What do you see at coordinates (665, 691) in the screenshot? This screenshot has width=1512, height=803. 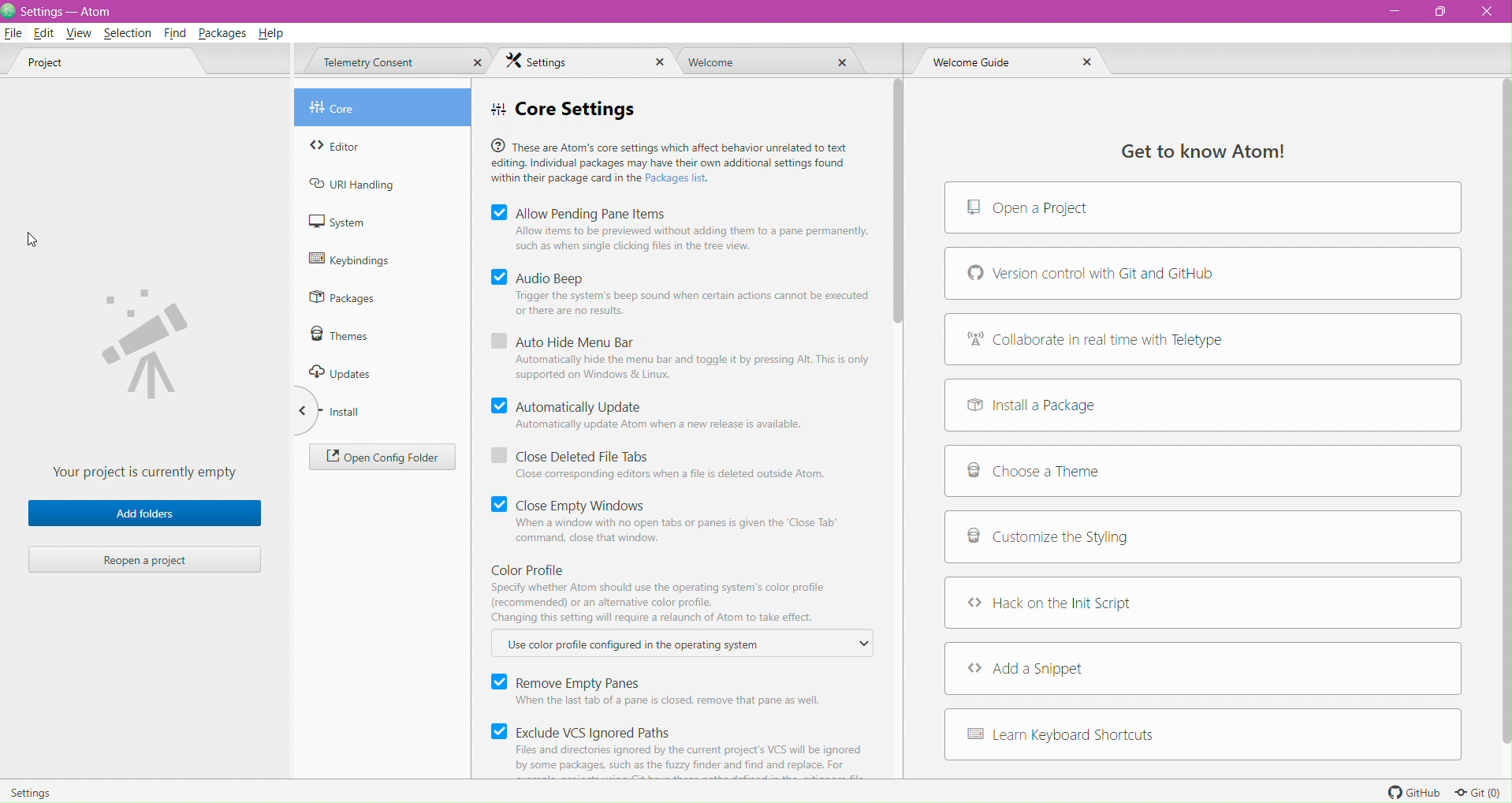 I see `Remove Empty Panes | When the last tab of a pane is closed, remove that pane as well.` at bounding box center [665, 691].